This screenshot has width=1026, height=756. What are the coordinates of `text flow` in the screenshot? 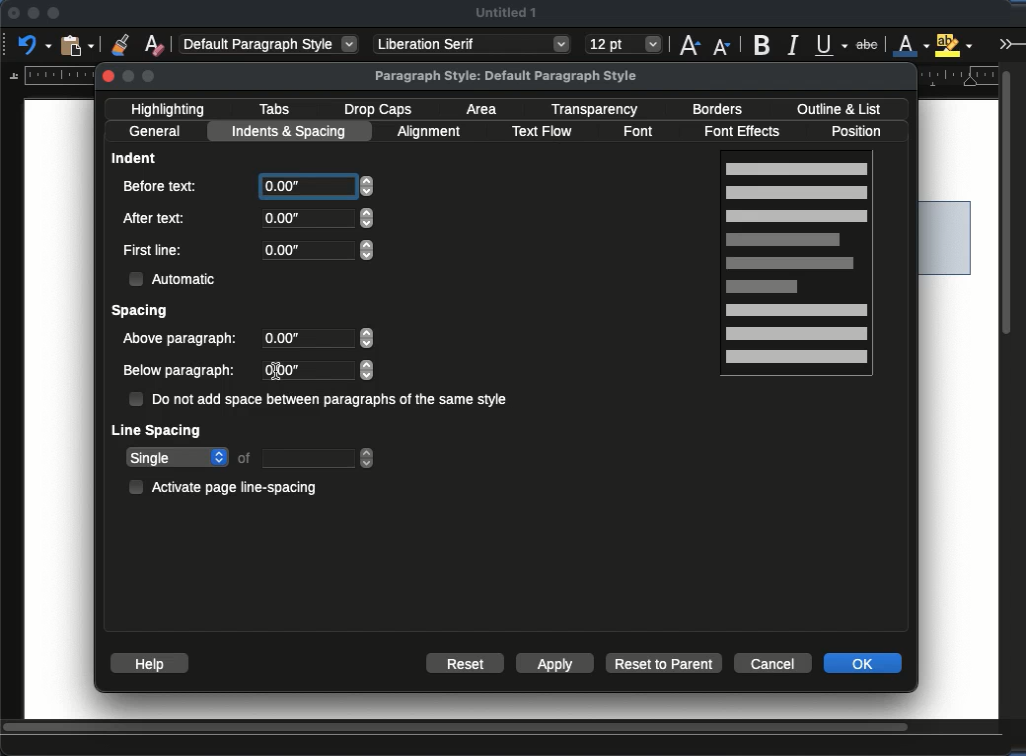 It's located at (542, 132).